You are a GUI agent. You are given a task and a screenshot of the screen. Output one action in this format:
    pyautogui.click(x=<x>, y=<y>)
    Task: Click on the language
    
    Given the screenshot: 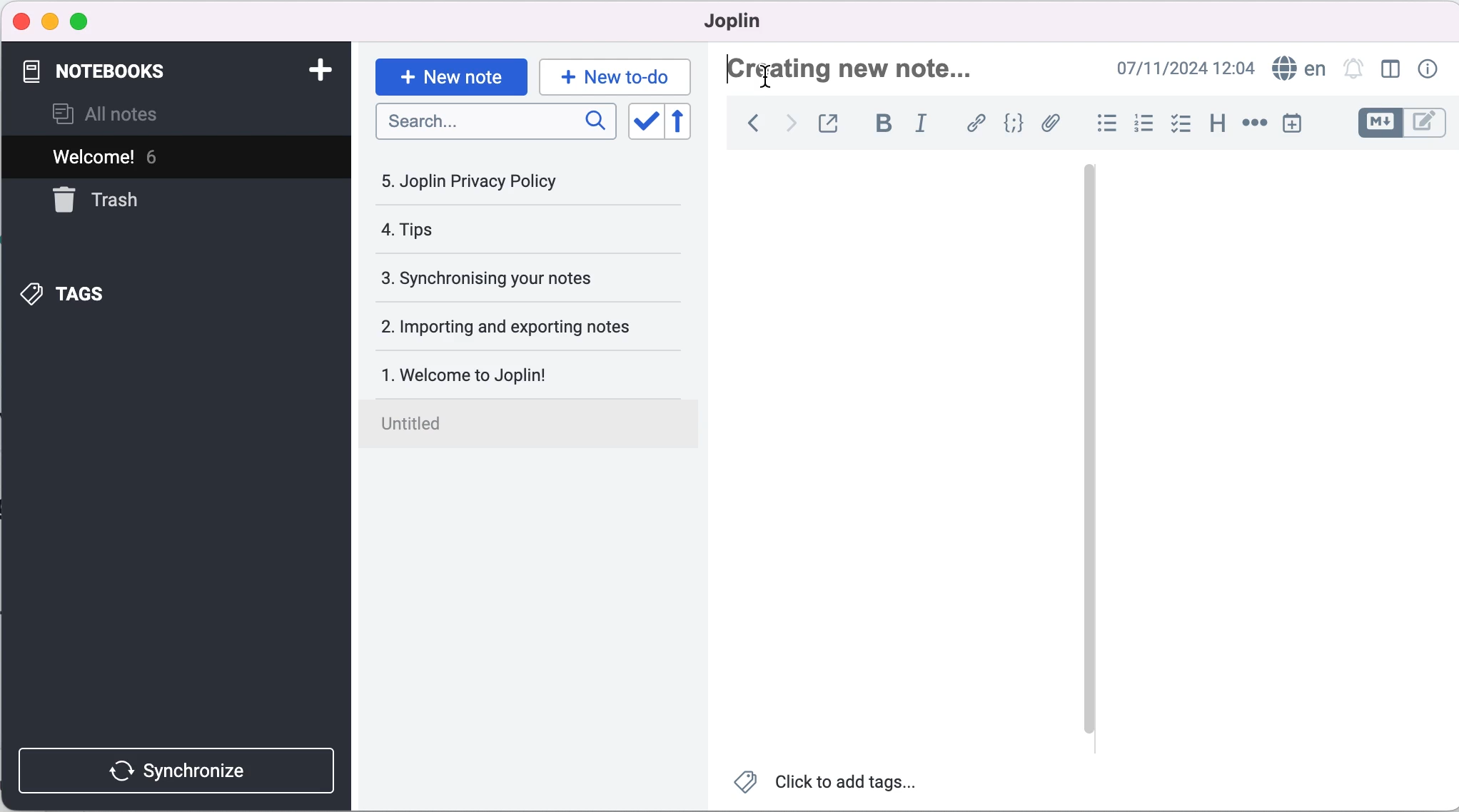 What is the action you would take?
    pyautogui.click(x=1298, y=68)
    